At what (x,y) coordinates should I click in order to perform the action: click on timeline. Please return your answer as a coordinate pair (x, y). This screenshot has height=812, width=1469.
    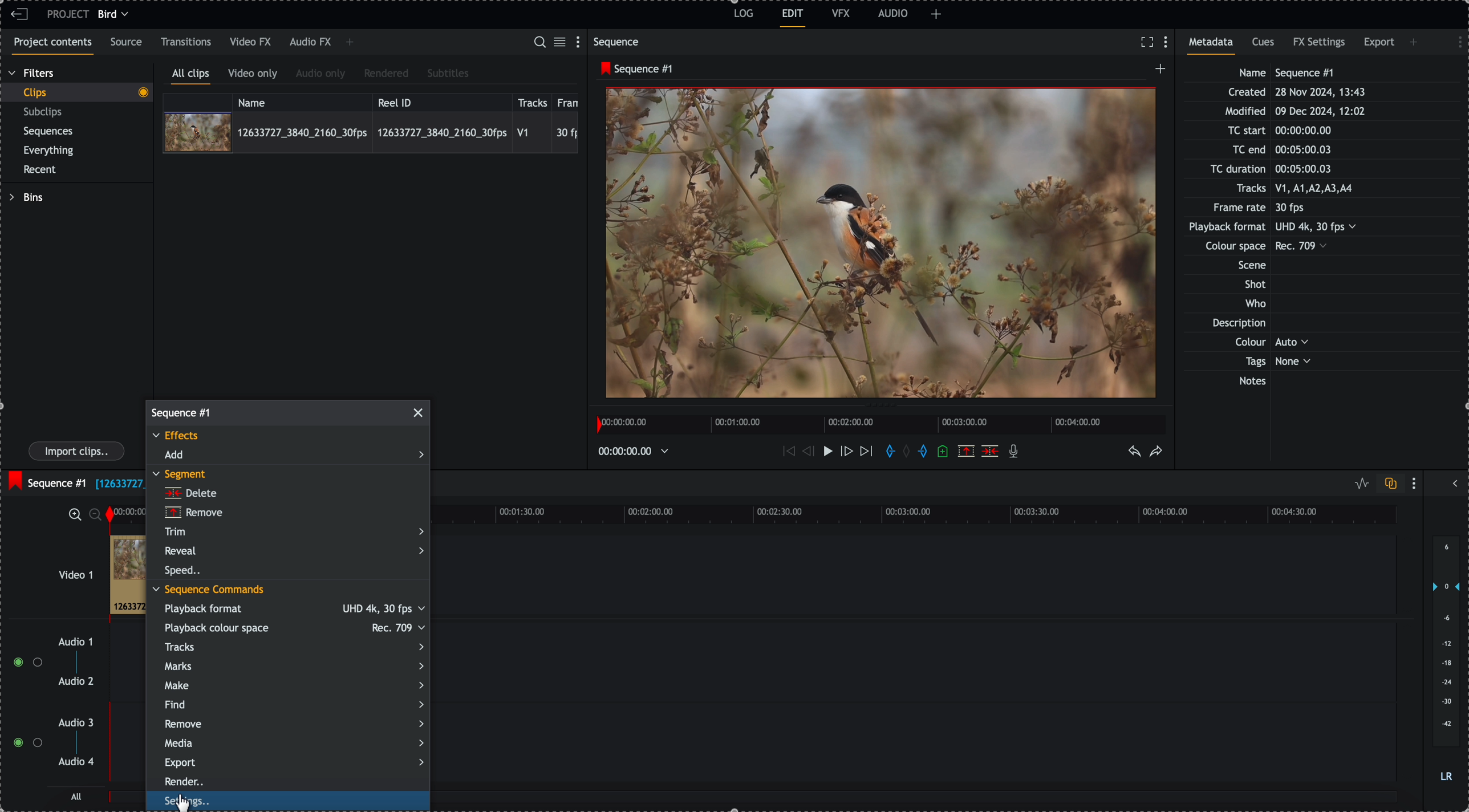
    Looking at the image, I should click on (914, 513).